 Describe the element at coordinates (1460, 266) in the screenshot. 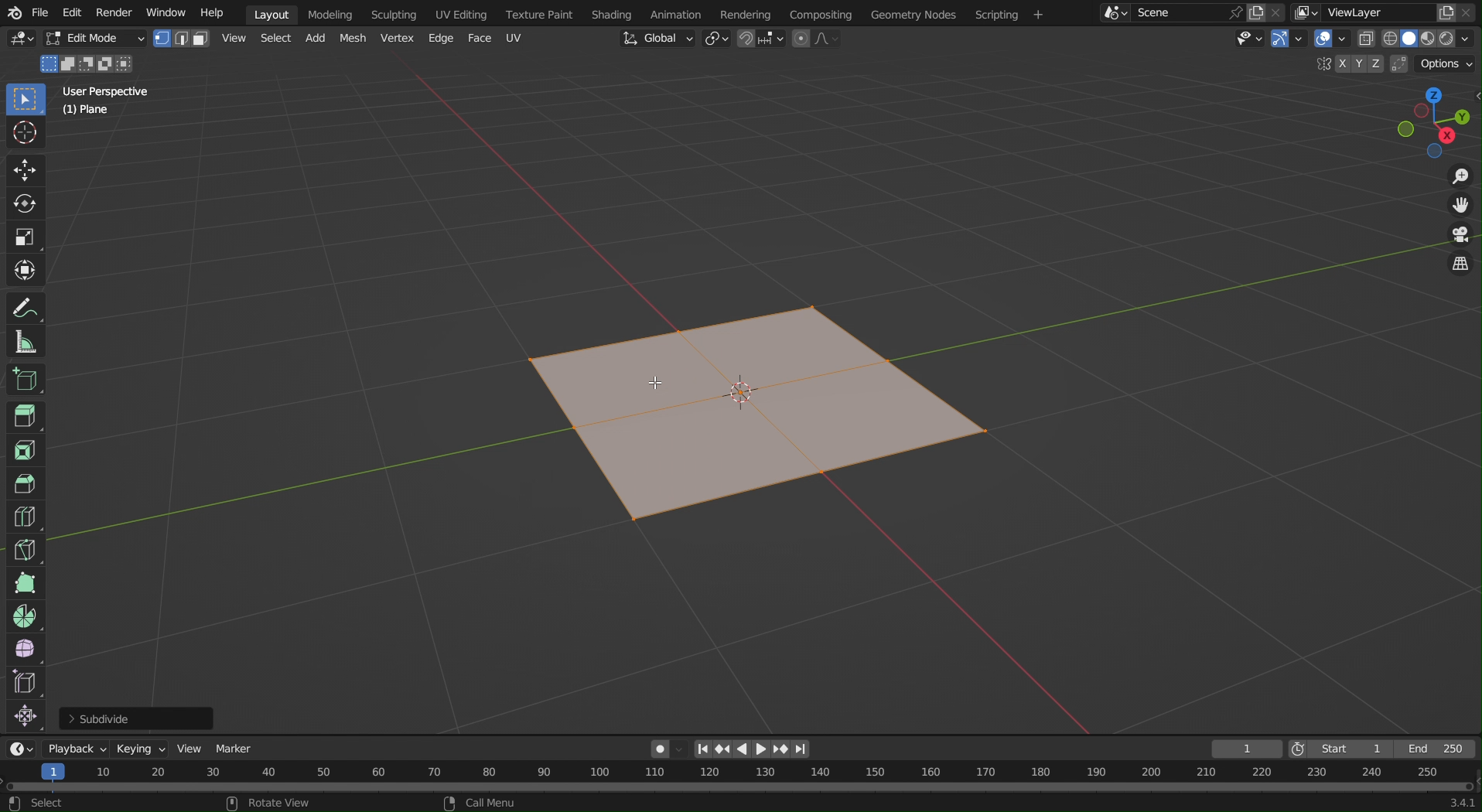

I see `Toggle View` at that location.